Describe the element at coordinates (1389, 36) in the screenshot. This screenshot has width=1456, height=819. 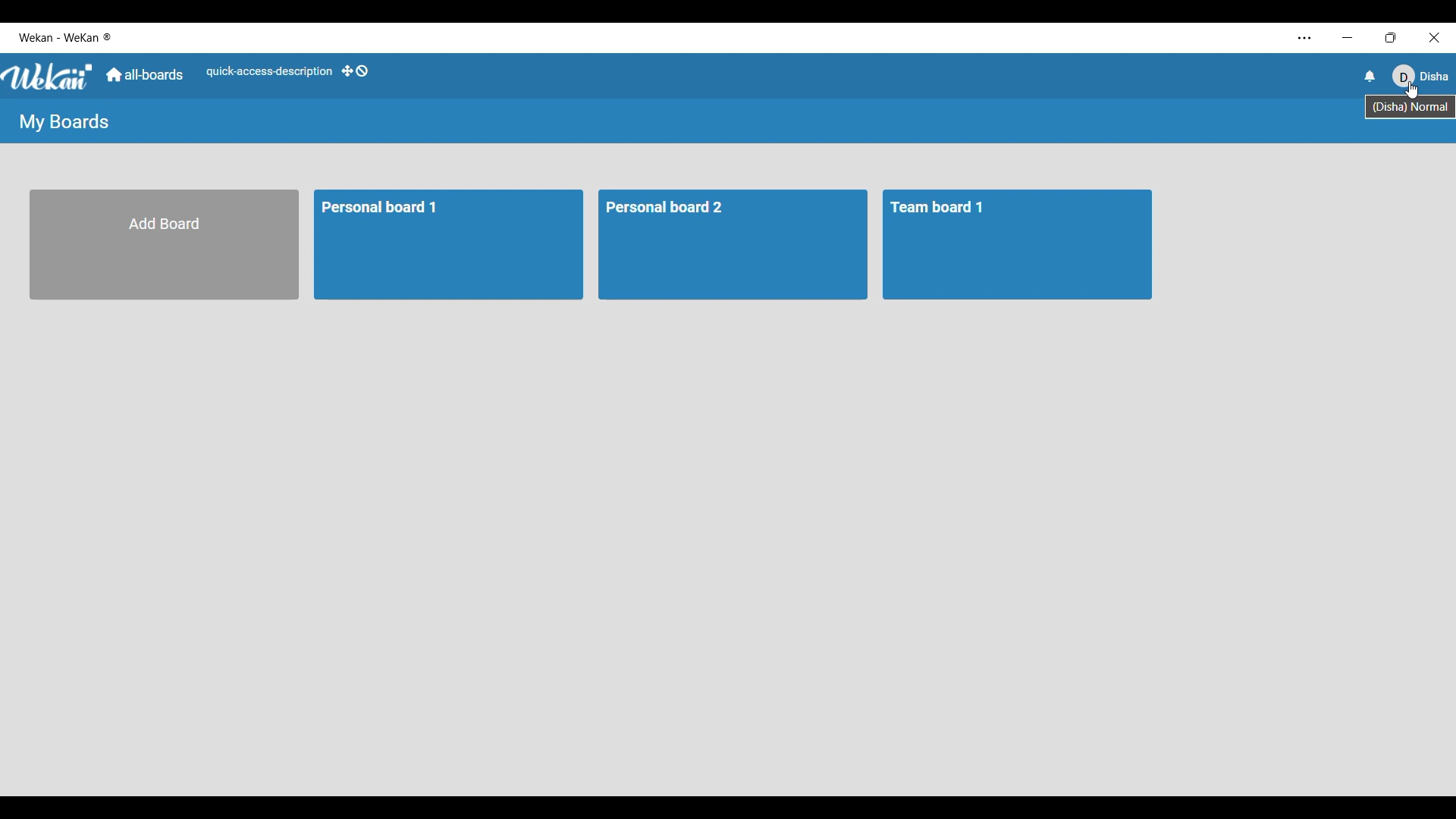
I see `Maximize` at that location.